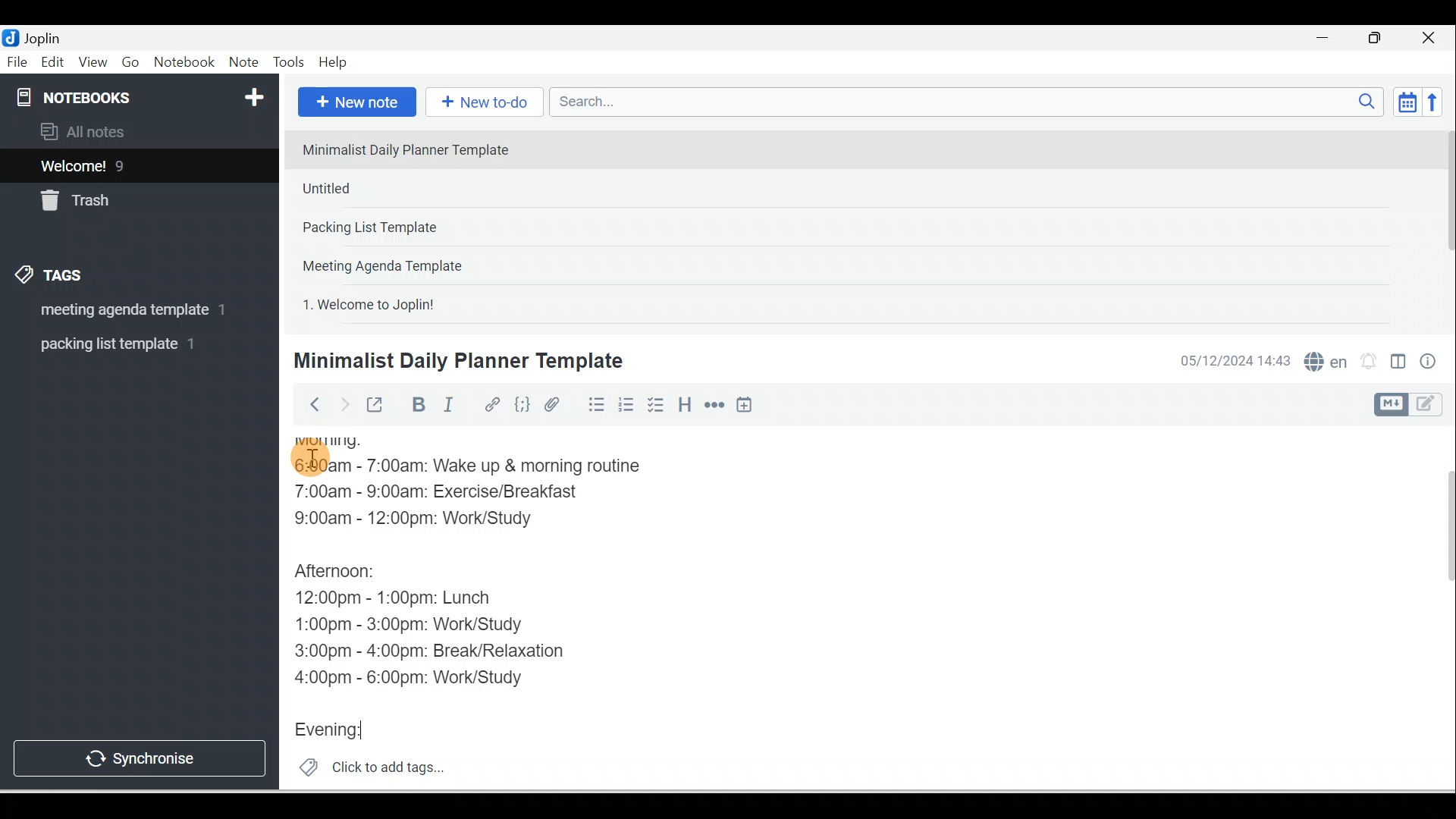  I want to click on Tag 2, so click(128, 344).